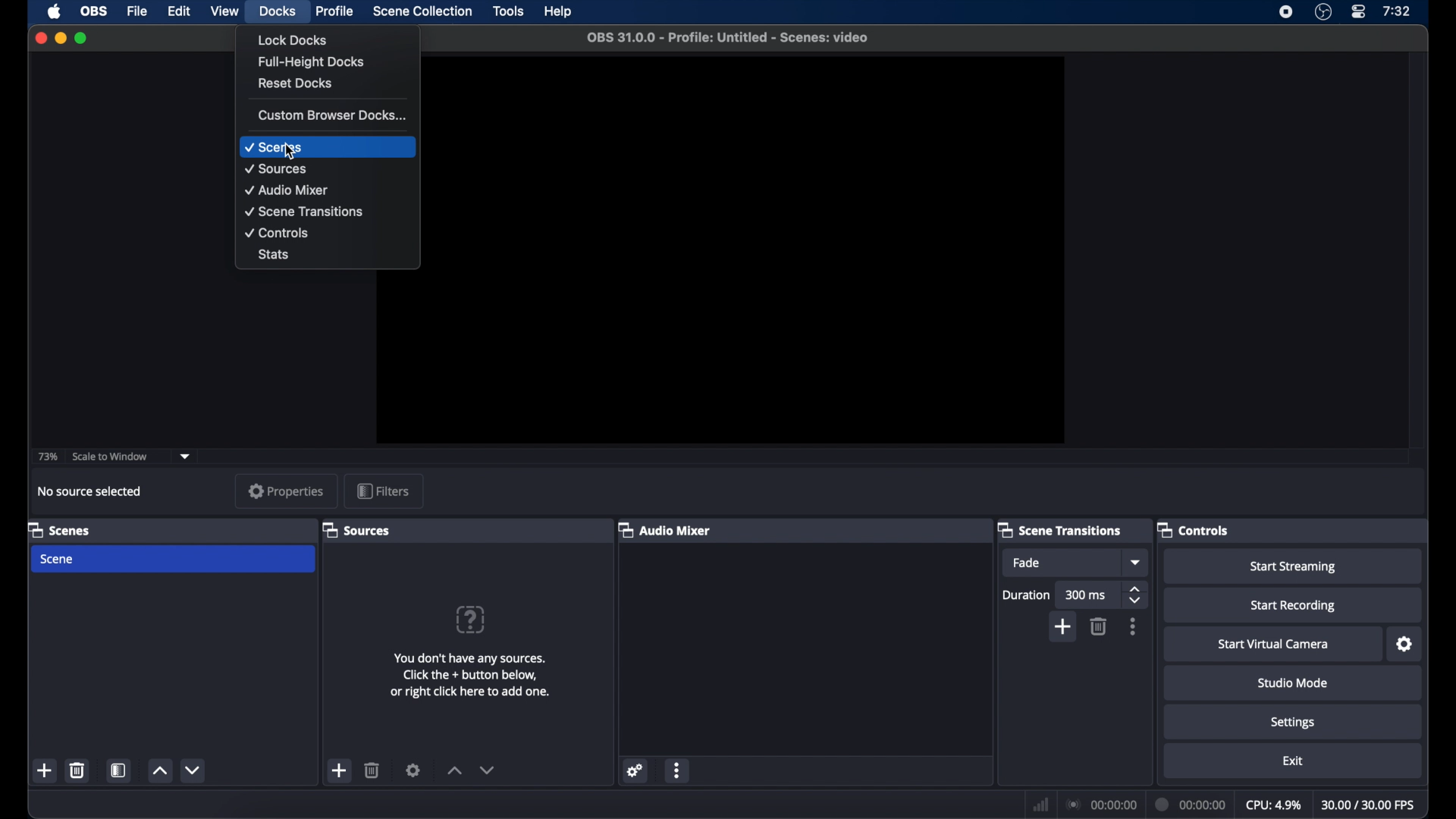 The height and width of the screenshot is (819, 1456). What do you see at coordinates (179, 10) in the screenshot?
I see `edit` at bounding box center [179, 10].